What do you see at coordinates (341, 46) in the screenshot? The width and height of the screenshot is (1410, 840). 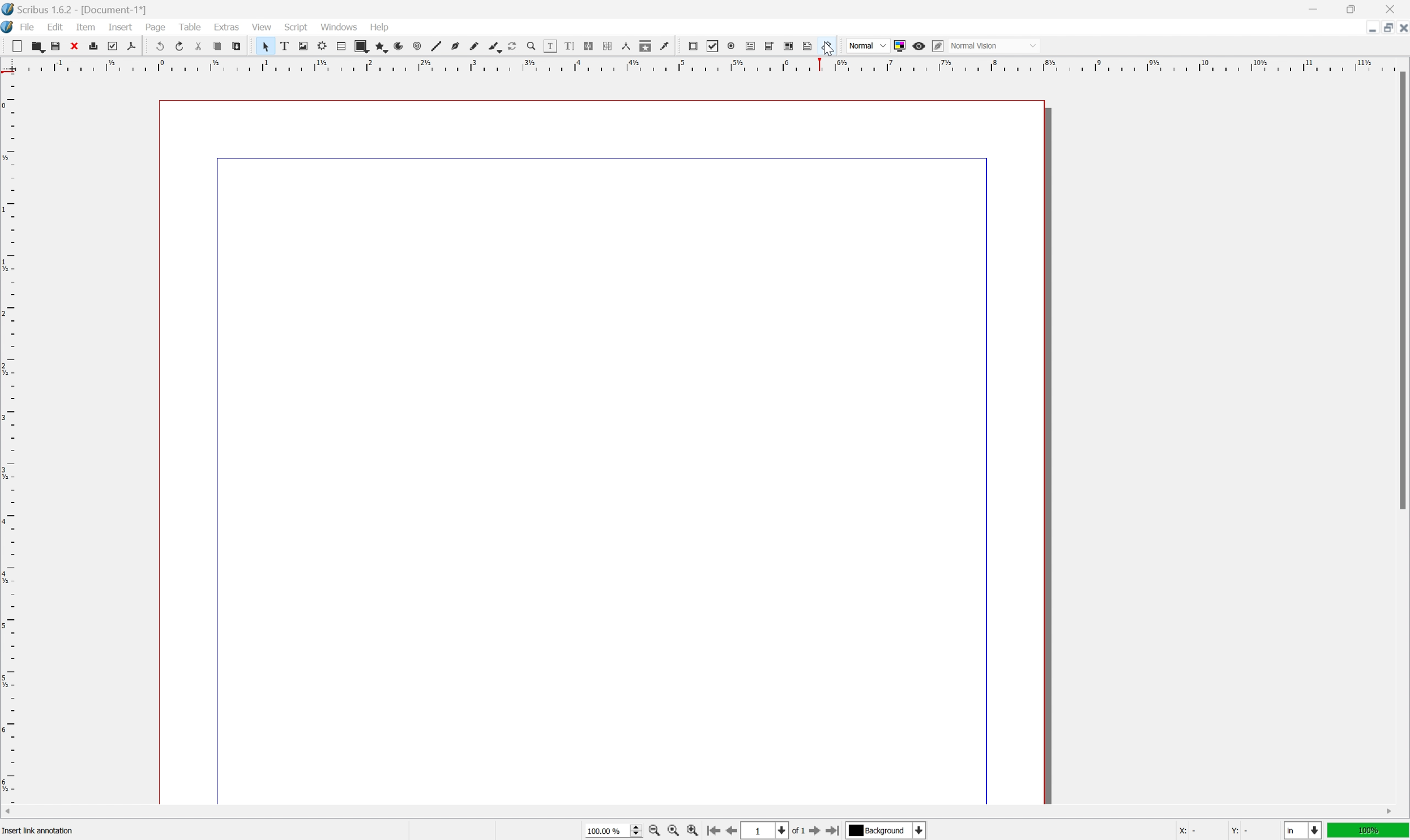 I see `table` at bounding box center [341, 46].